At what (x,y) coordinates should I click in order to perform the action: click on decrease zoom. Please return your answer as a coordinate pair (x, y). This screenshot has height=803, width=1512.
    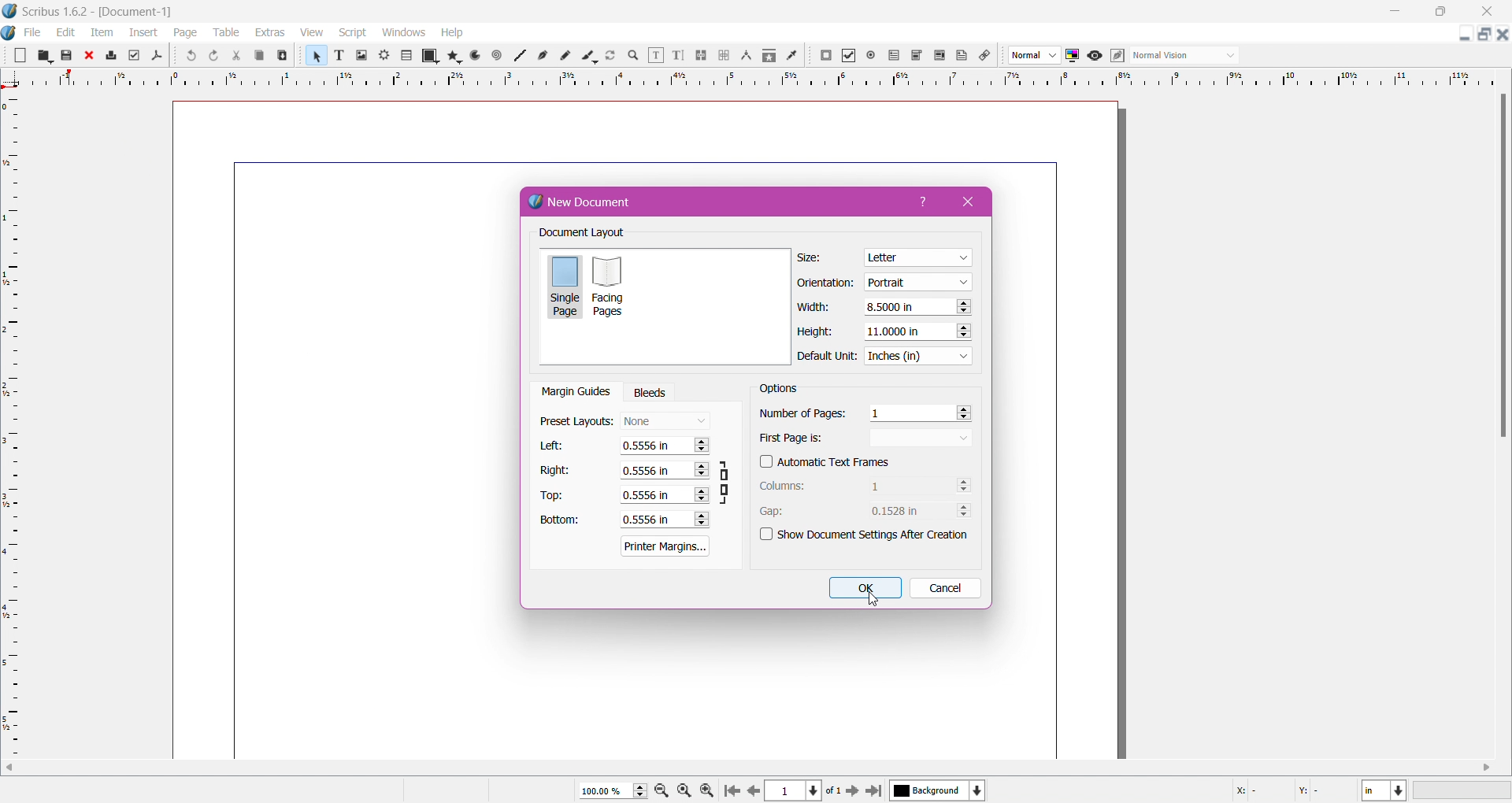
    Looking at the image, I should click on (662, 791).